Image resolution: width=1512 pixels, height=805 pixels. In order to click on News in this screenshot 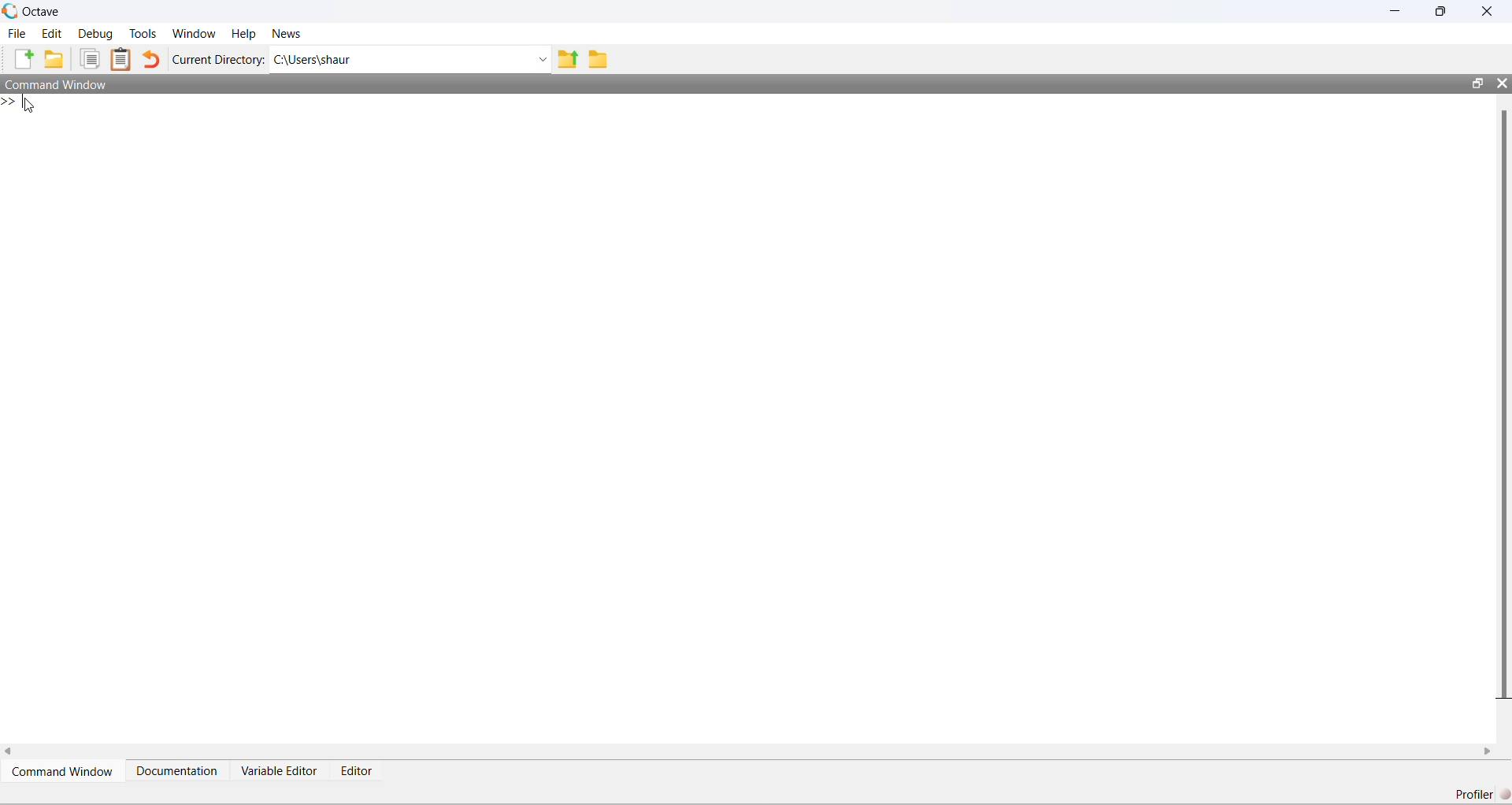, I will do `click(286, 32)`.